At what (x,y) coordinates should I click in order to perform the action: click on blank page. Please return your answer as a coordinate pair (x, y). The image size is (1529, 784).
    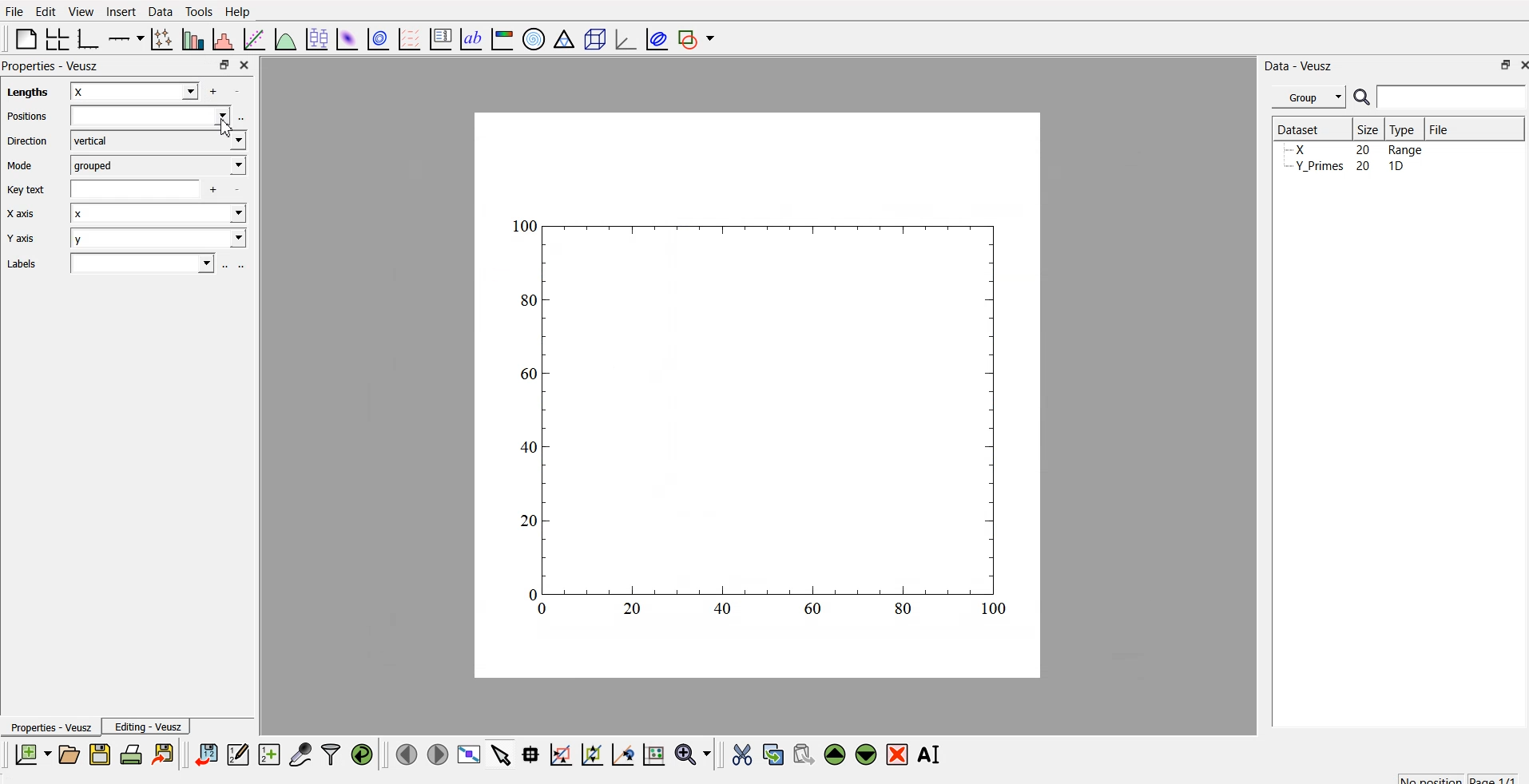
    Looking at the image, I should click on (22, 38).